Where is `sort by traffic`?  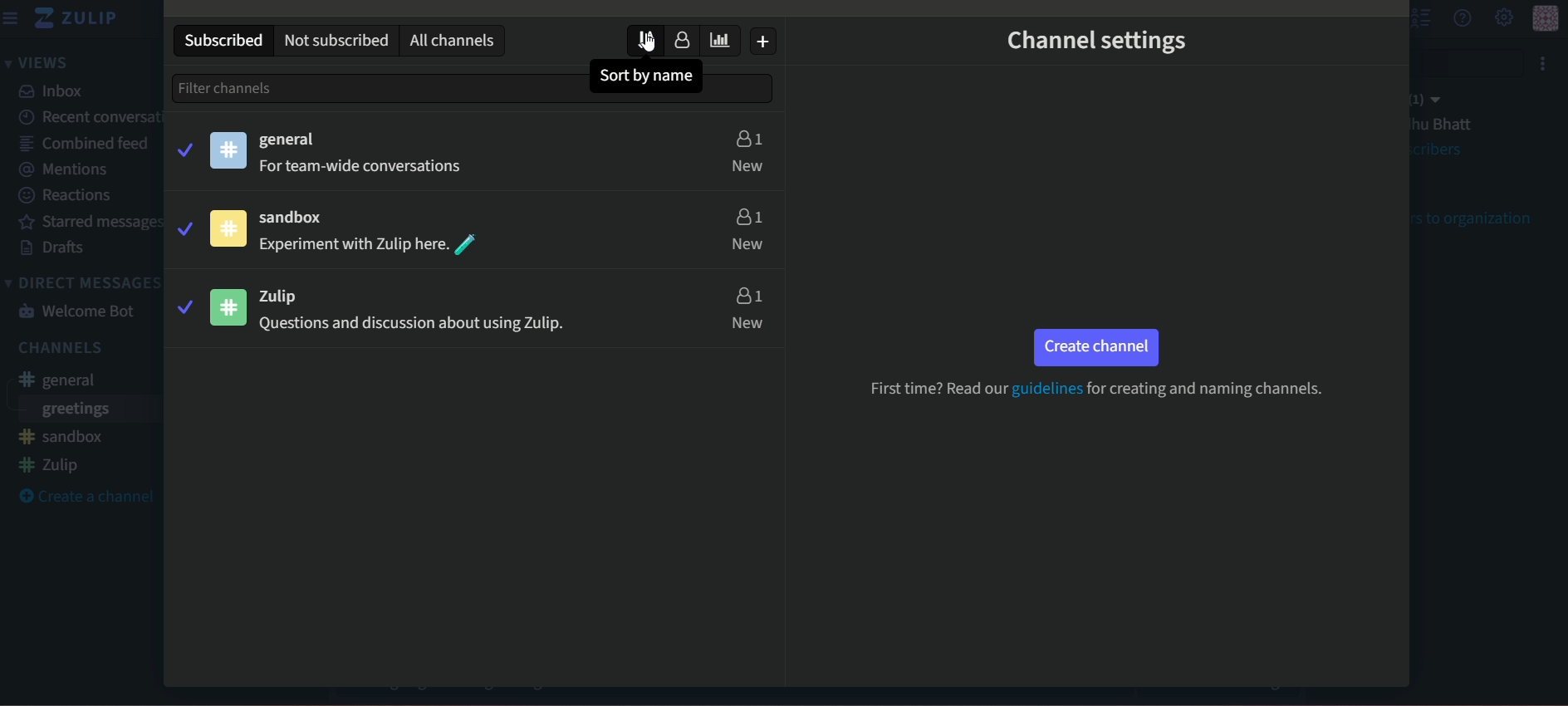
sort by traffic is located at coordinates (720, 40).